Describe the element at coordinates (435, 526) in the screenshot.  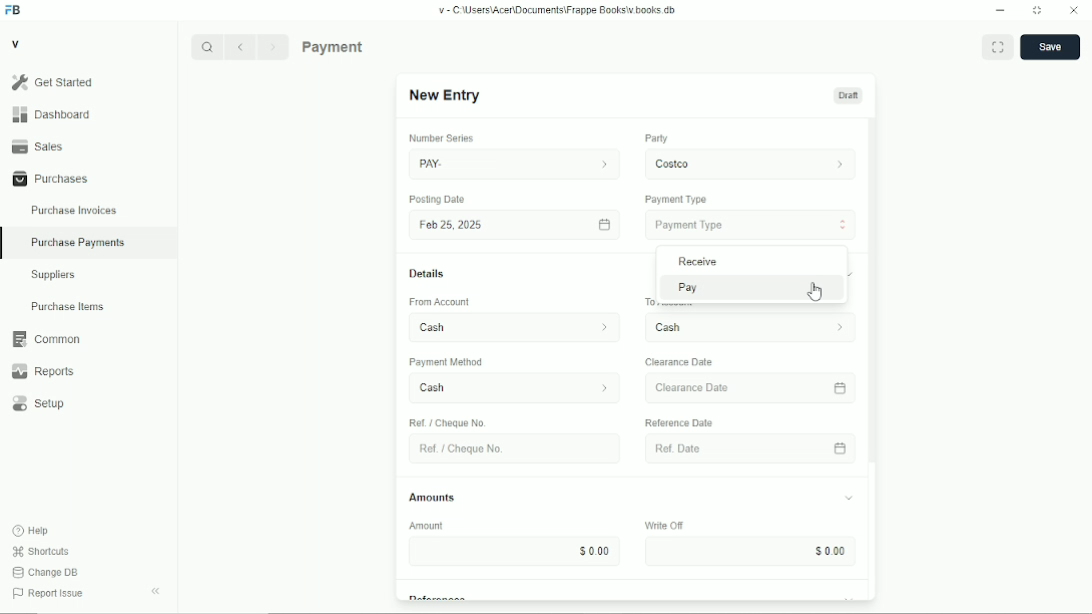
I see `Amount` at that location.